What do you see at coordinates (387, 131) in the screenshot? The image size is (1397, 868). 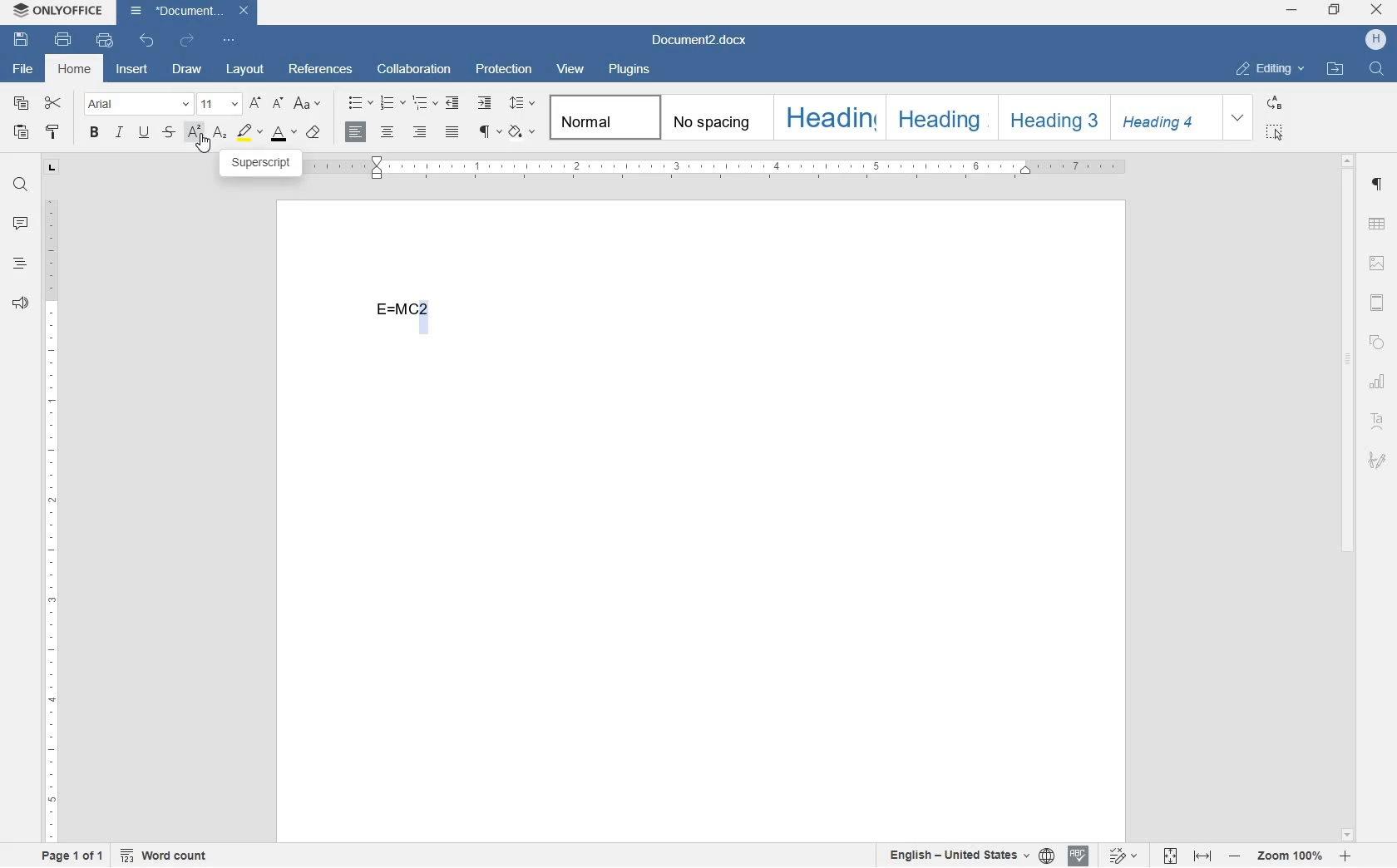 I see `align center` at bounding box center [387, 131].